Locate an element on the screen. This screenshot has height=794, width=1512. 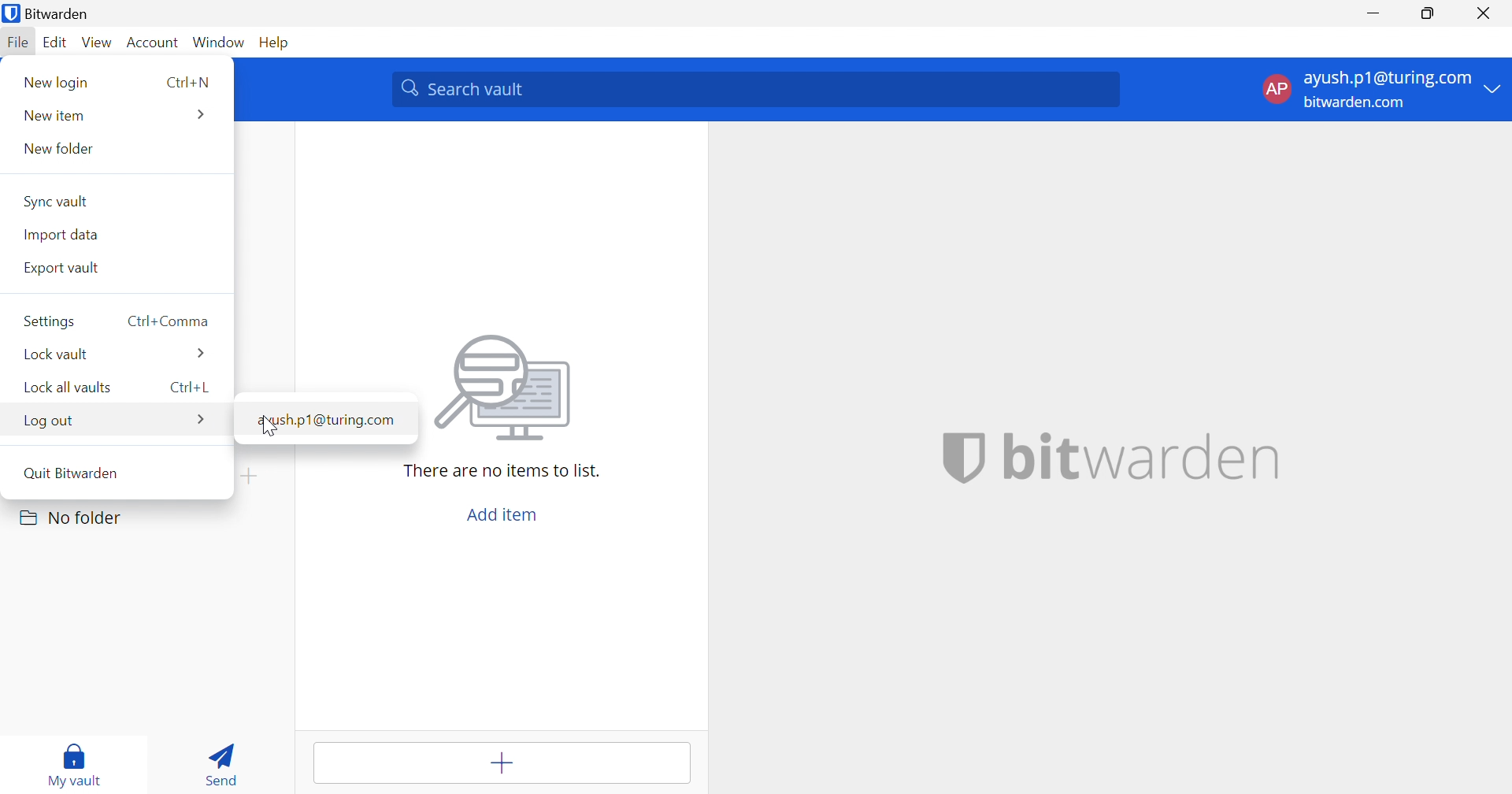
bitwarden is located at coordinates (1144, 456).